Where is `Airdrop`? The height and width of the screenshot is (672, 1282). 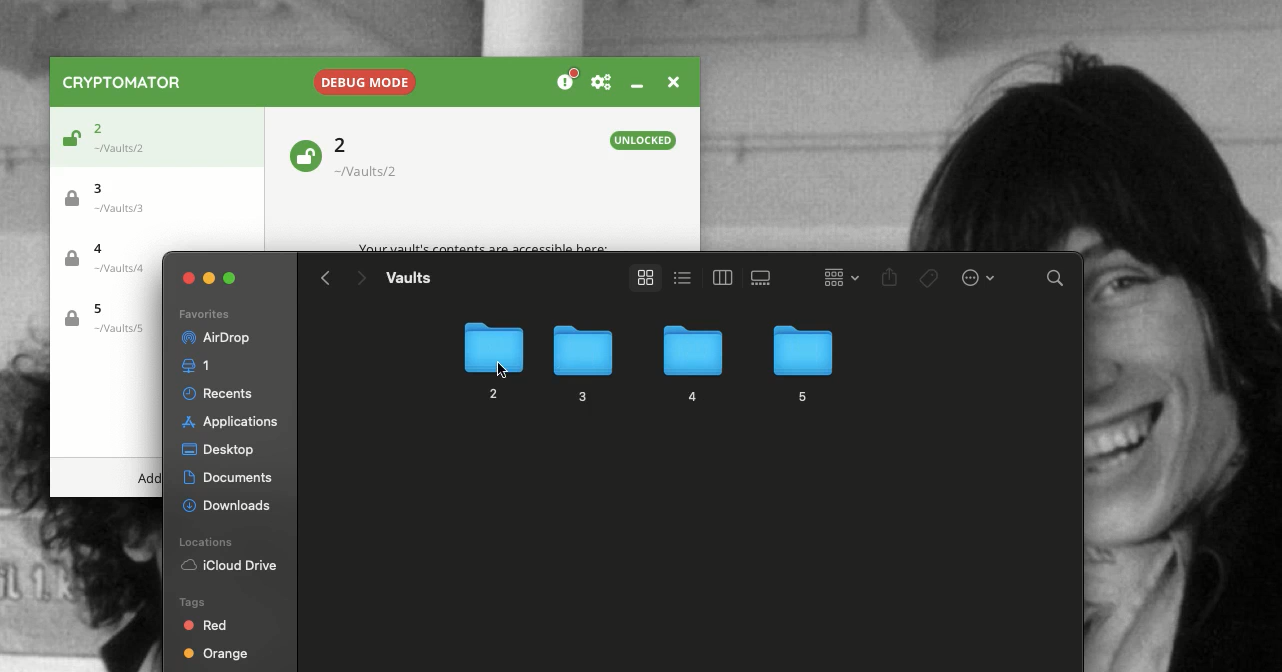
Airdrop is located at coordinates (214, 338).